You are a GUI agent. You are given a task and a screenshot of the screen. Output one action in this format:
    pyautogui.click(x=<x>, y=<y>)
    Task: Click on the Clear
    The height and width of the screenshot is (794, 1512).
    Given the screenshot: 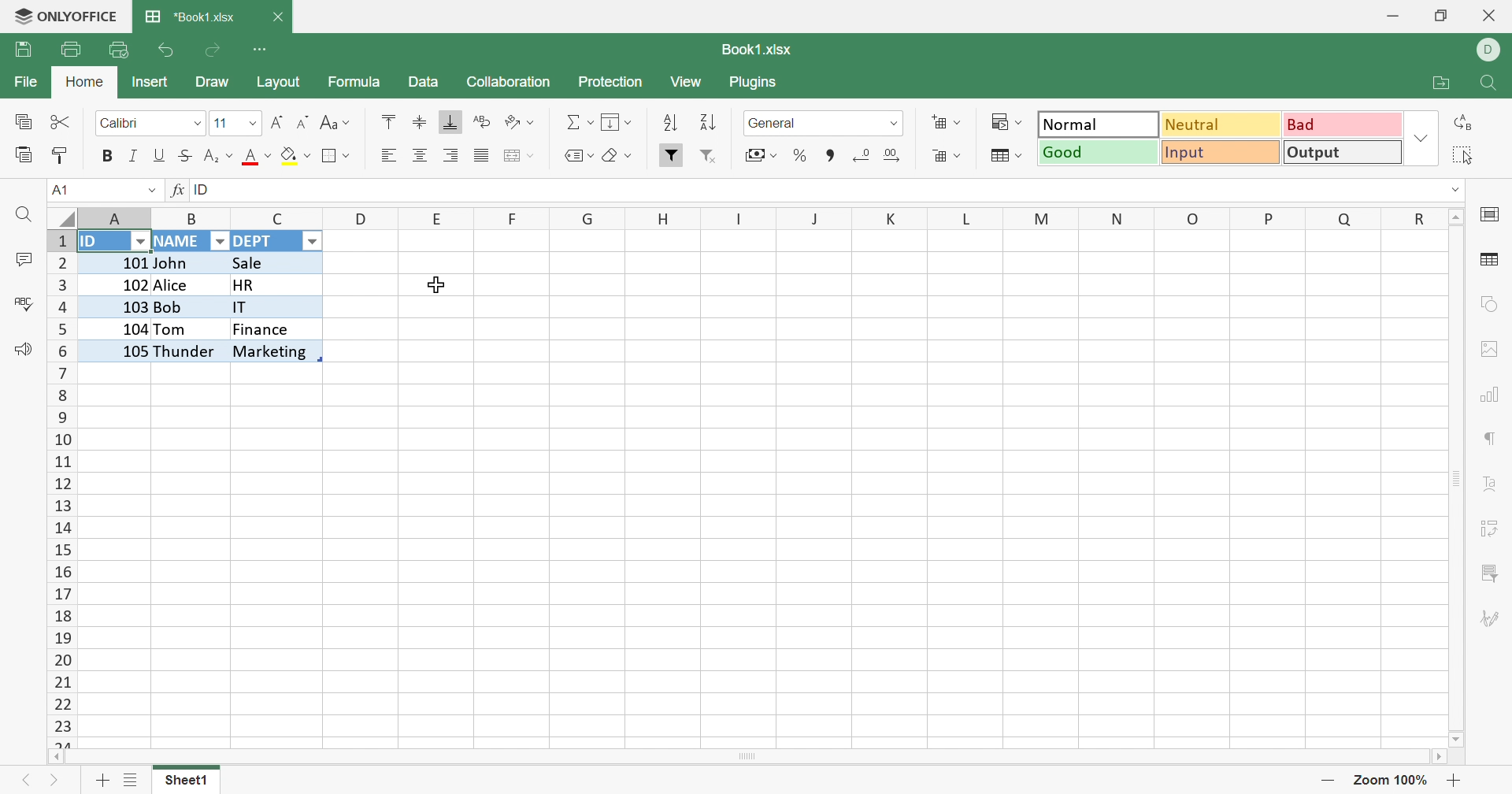 What is the action you would take?
    pyautogui.click(x=617, y=155)
    